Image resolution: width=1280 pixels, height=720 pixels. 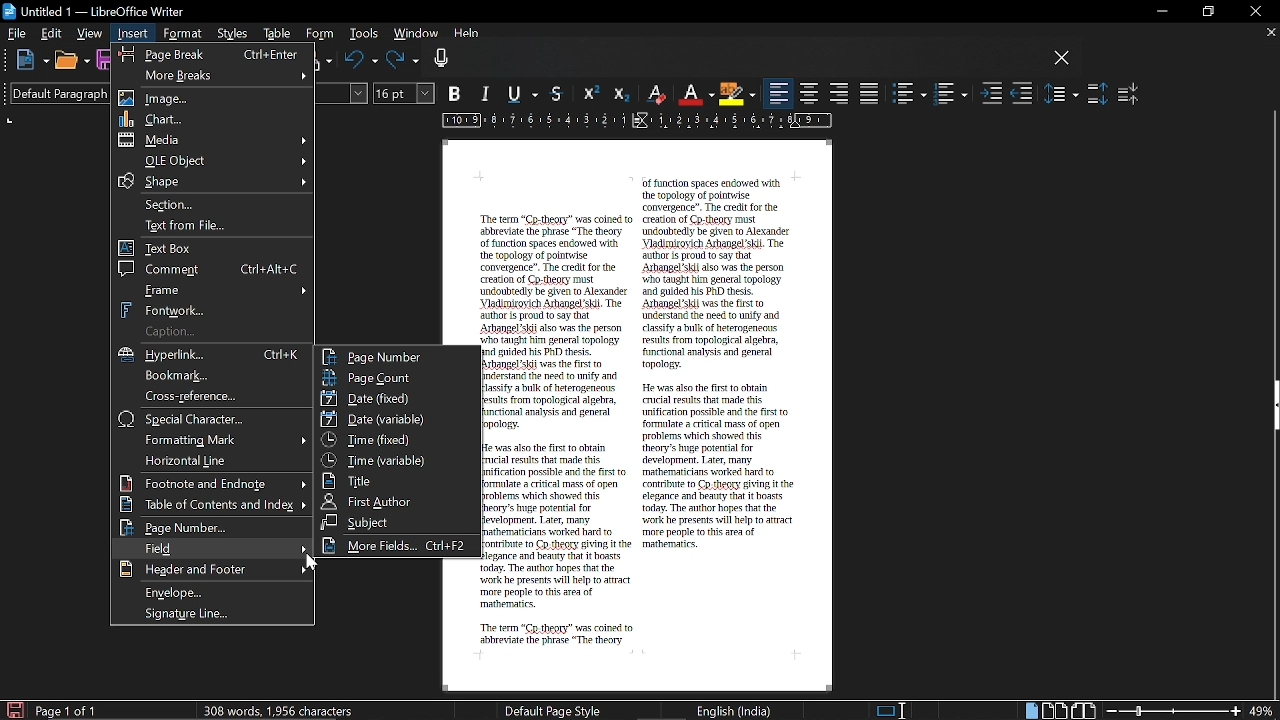 I want to click on Page break, so click(x=210, y=52).